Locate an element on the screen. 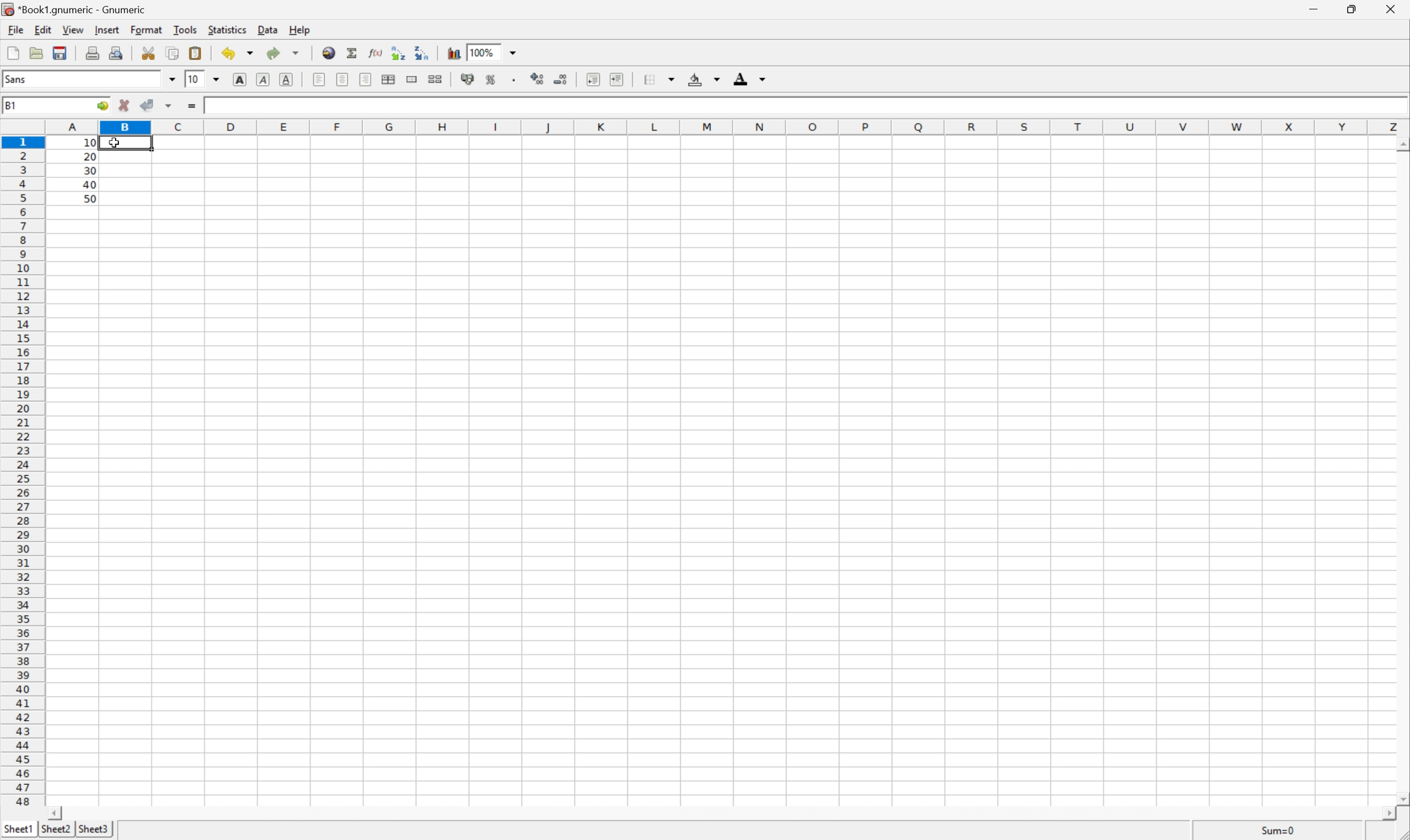  10 is located at coordinates (93, 144).